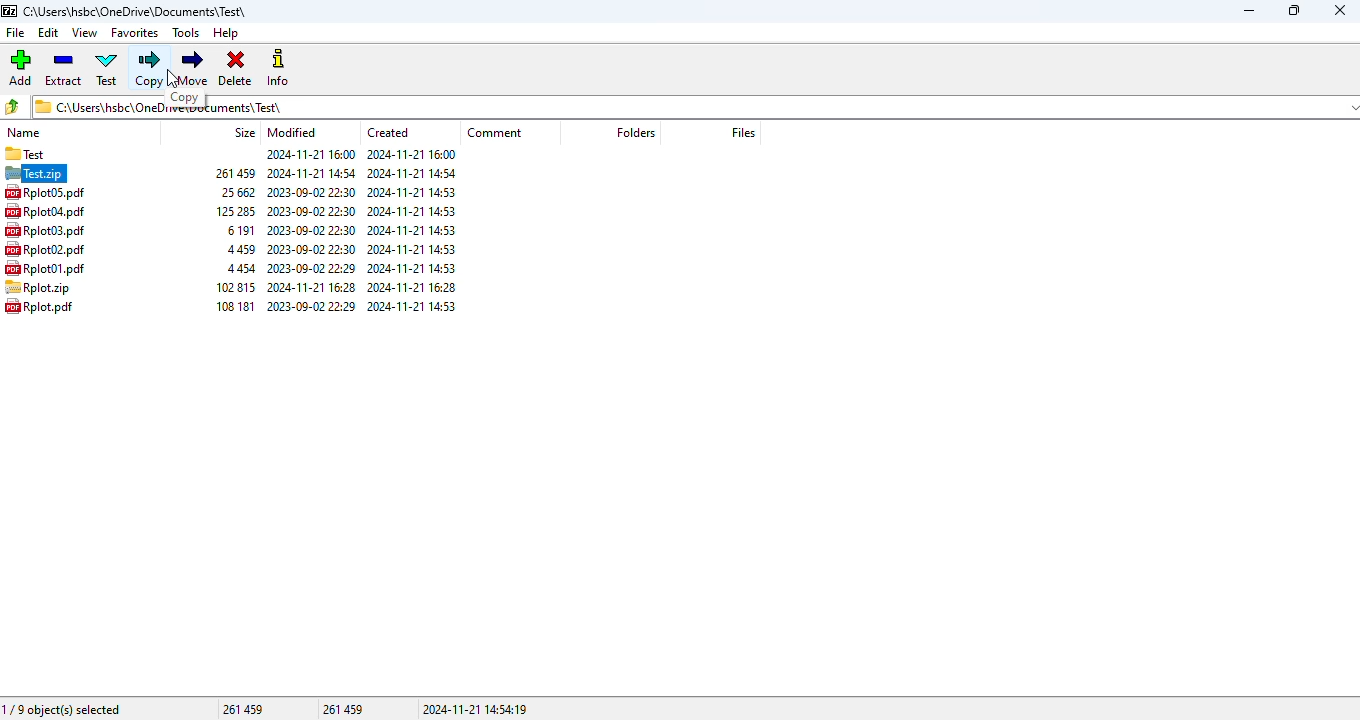 This screenshot has height=720, width=1360. Describe the element at coordinates (225, 33) in the screenshot. I see `help` at that location.